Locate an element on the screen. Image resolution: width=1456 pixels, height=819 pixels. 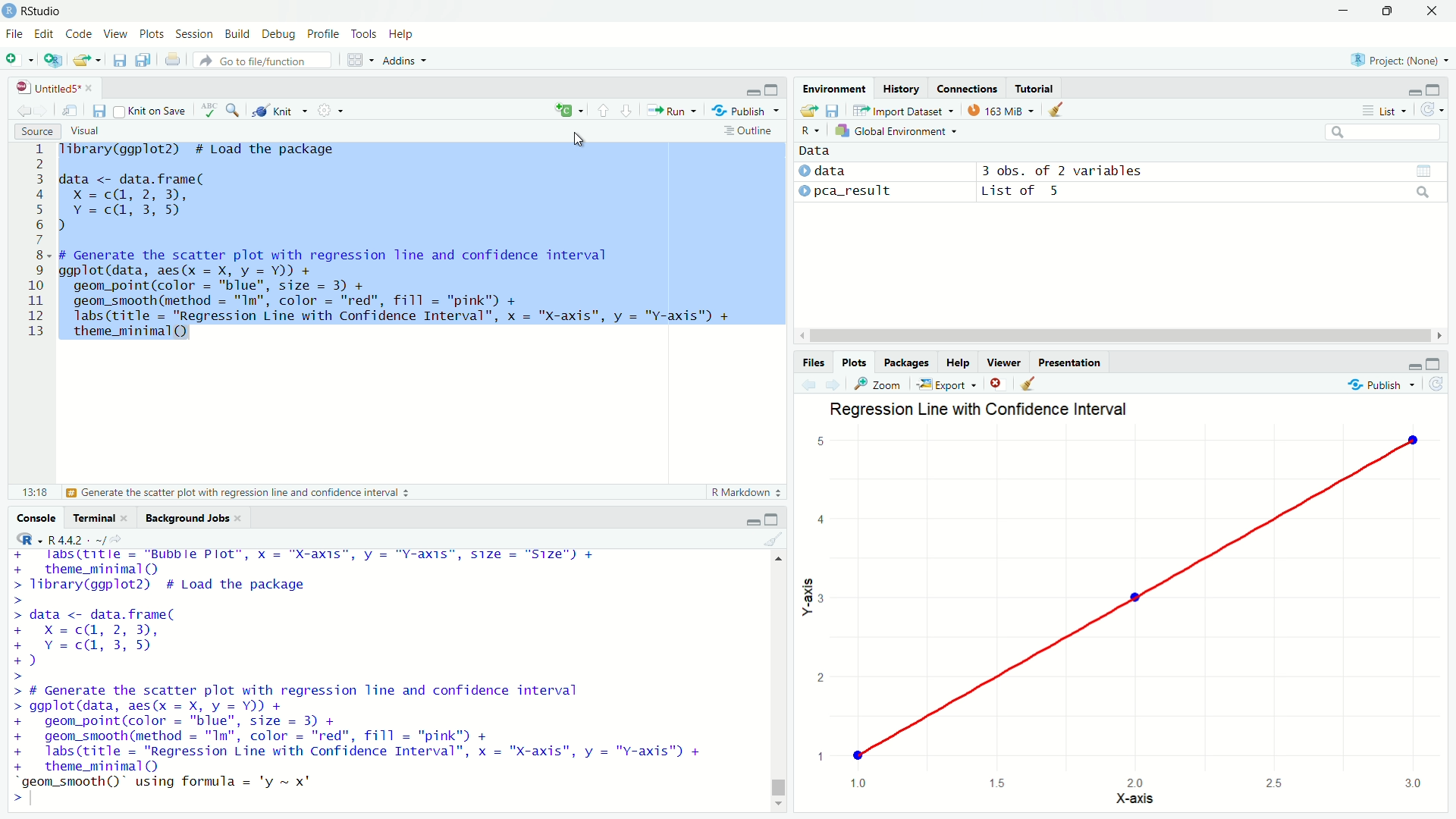
expand is located at coordinates (773, 89).